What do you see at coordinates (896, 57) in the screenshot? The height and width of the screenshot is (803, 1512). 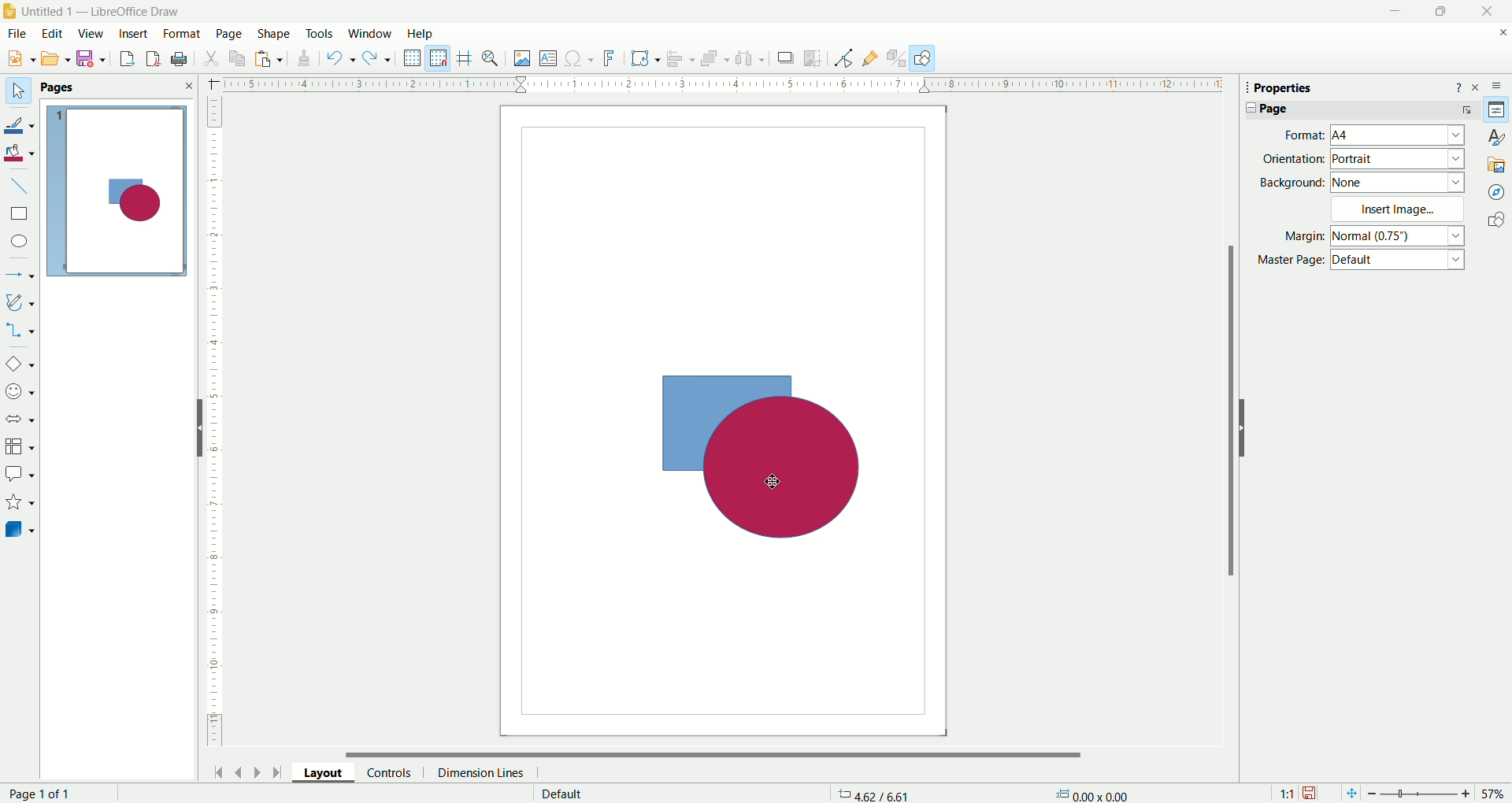 I see `extrusion` at bounding box center [896, 57].